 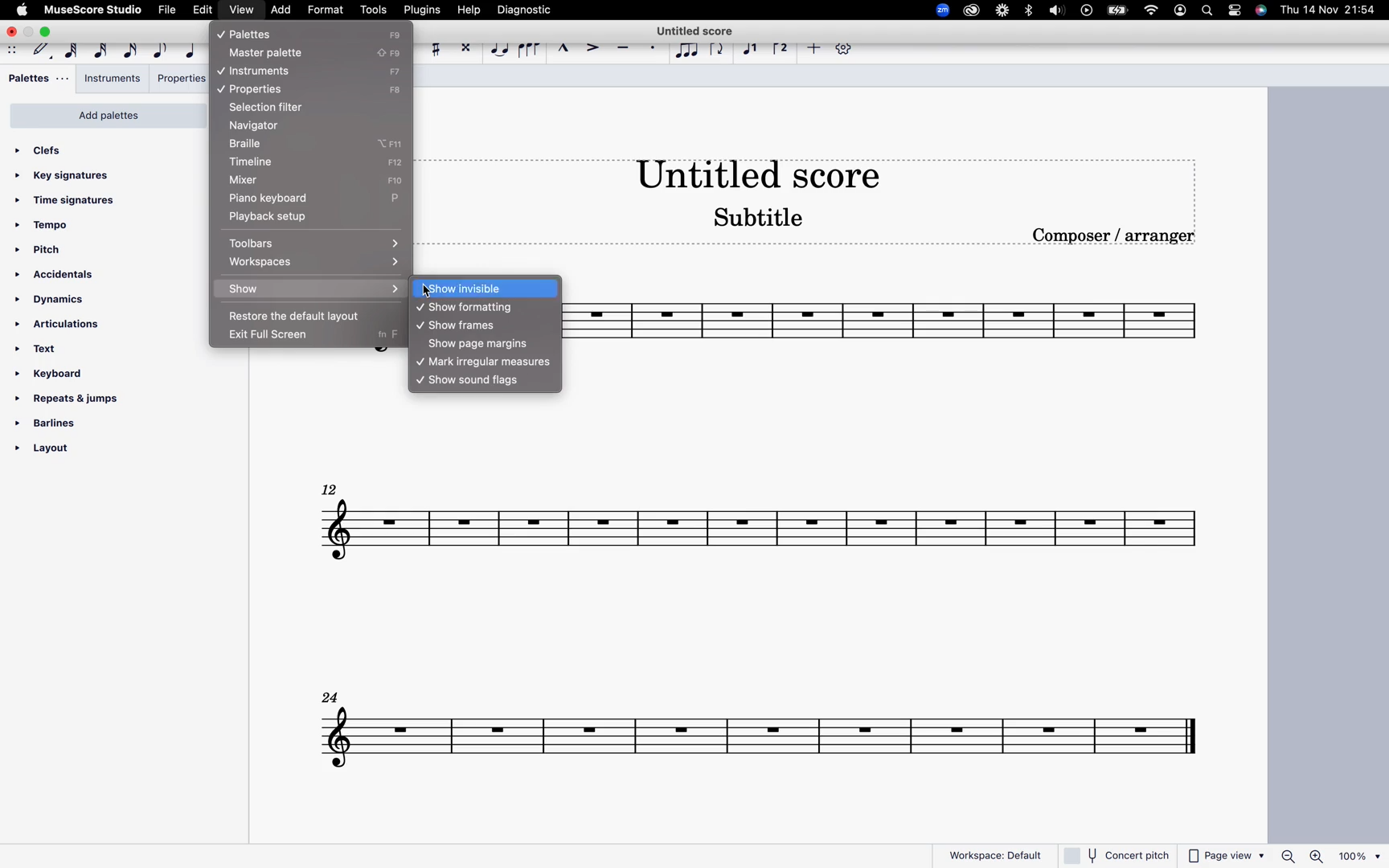 I want to click on pallets, so click(x=272, y=34).